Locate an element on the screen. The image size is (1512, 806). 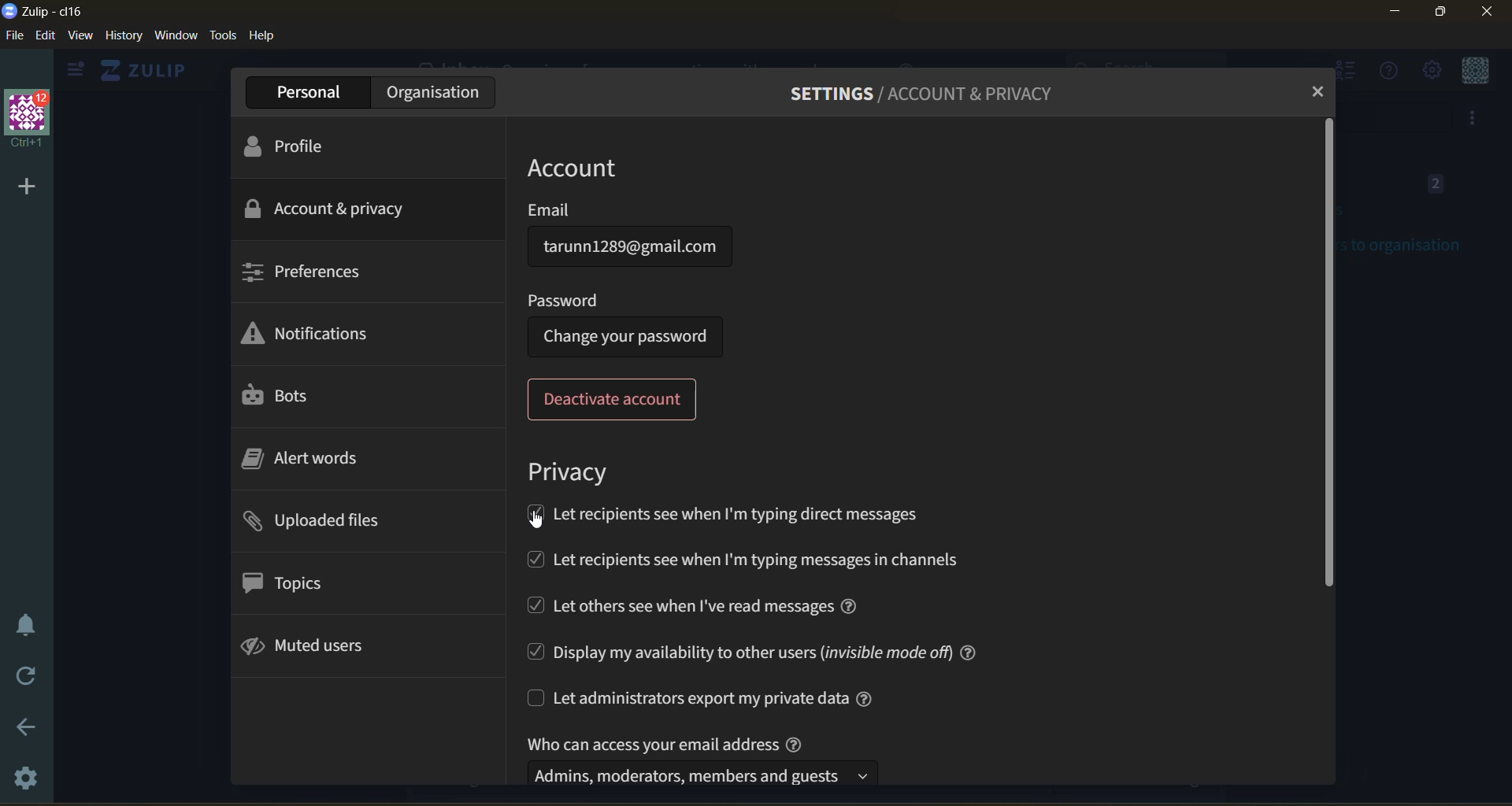
go back is located at coordinates (28, 733).